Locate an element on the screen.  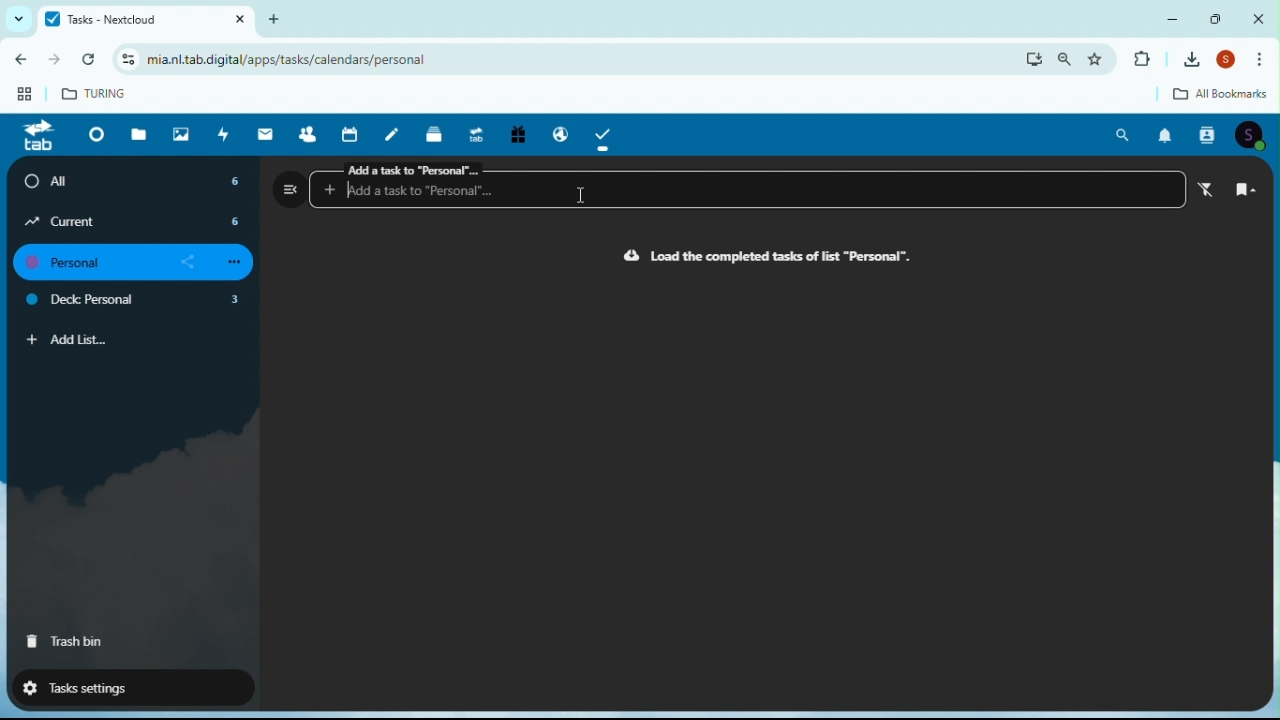
cursor is located at coordinates (576, 202).